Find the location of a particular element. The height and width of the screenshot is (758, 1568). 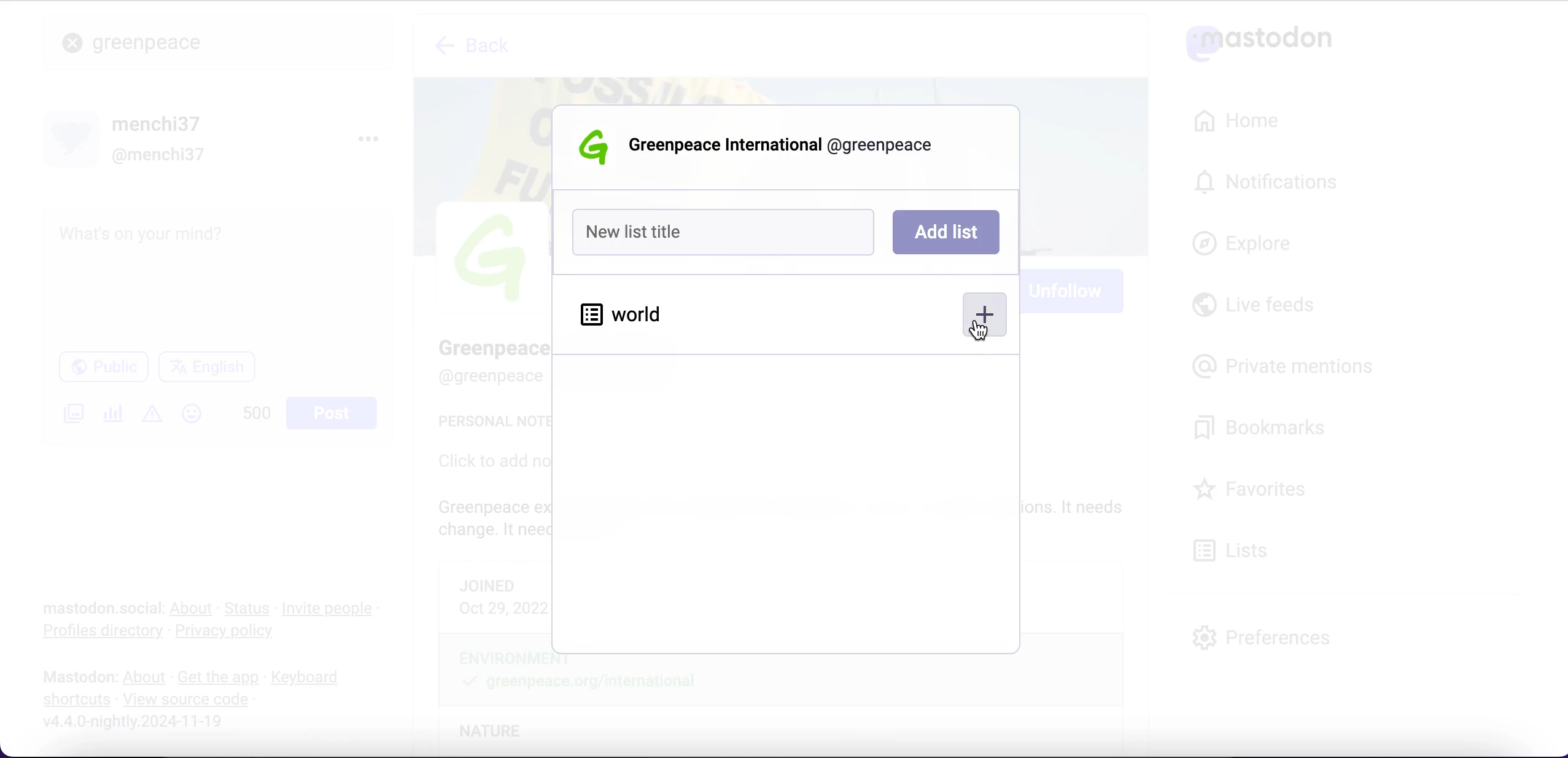

privacy policy is located at coordinates (235, 633).